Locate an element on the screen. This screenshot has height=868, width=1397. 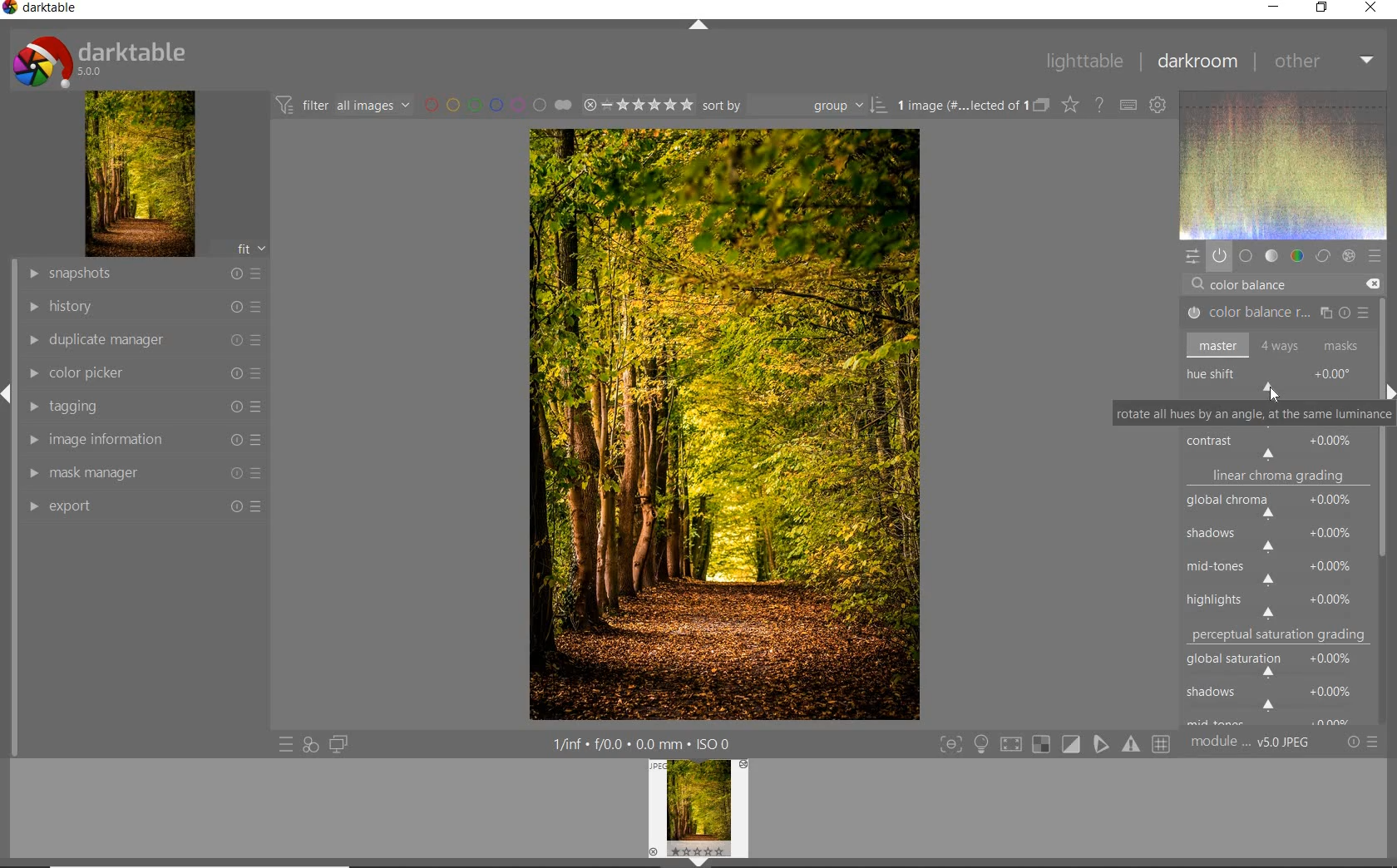
quick access panel is located at coordinates (1190, 256).